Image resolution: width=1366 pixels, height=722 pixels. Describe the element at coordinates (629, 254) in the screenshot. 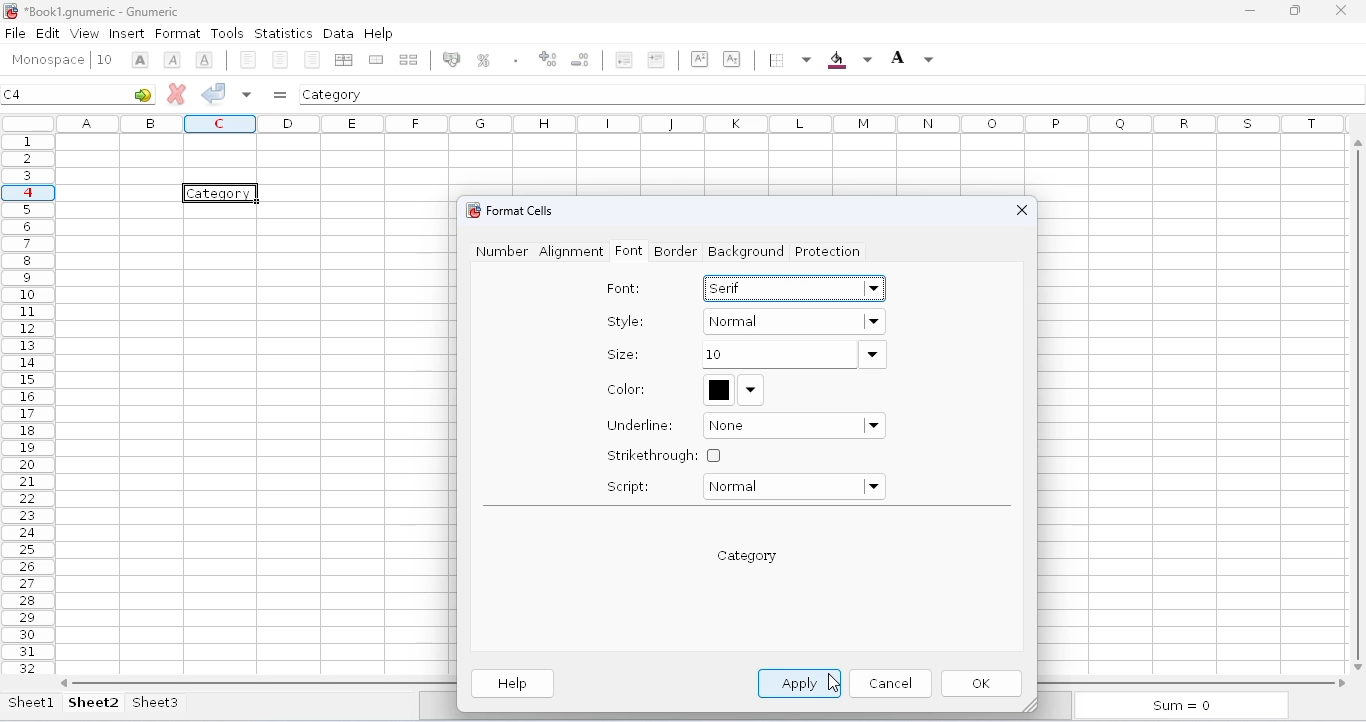

I see `Font` at that location.